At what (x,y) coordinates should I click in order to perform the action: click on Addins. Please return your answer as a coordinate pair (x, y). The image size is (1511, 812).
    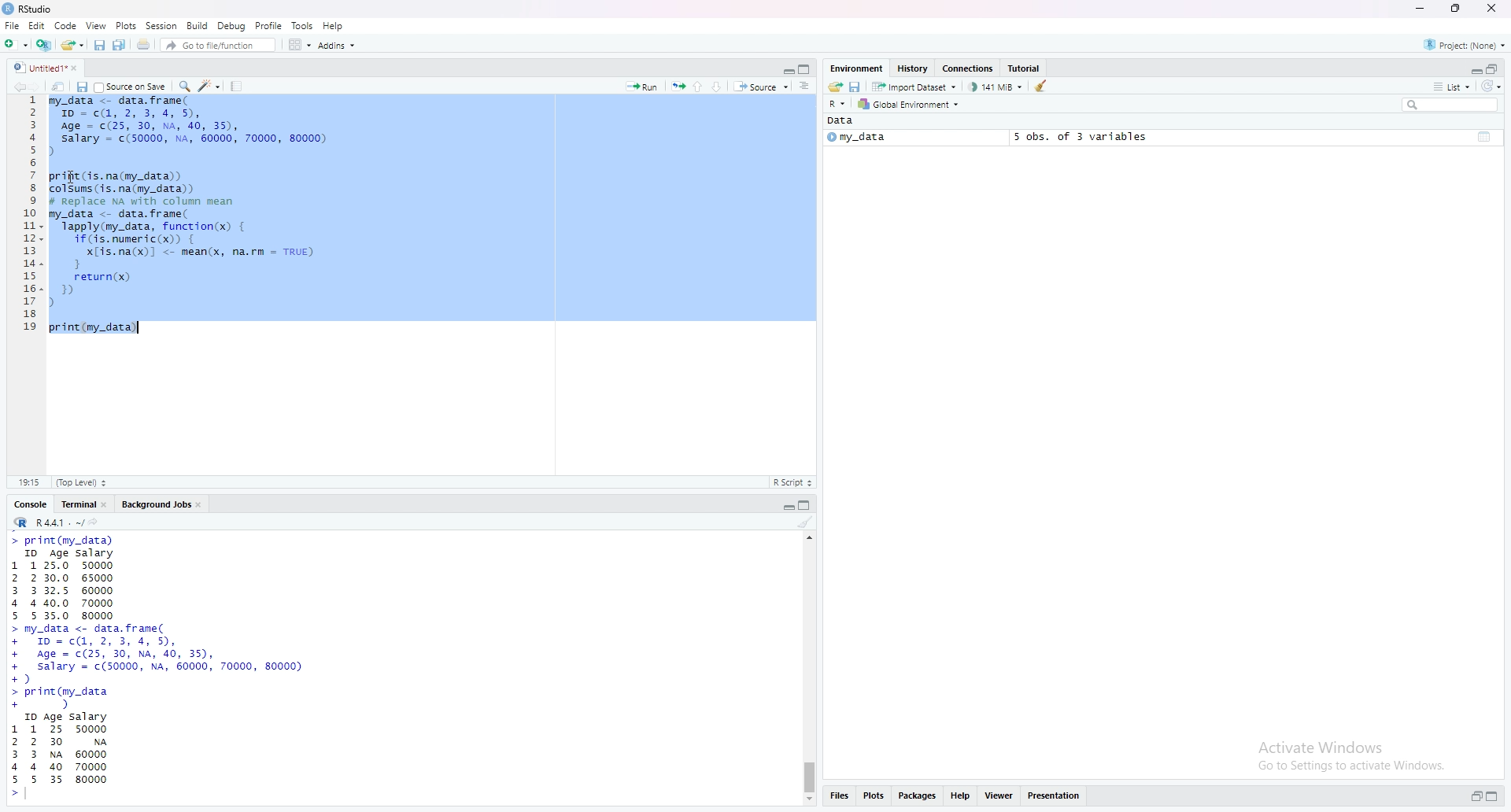
    Looking at the image, I should click on (338, 46).